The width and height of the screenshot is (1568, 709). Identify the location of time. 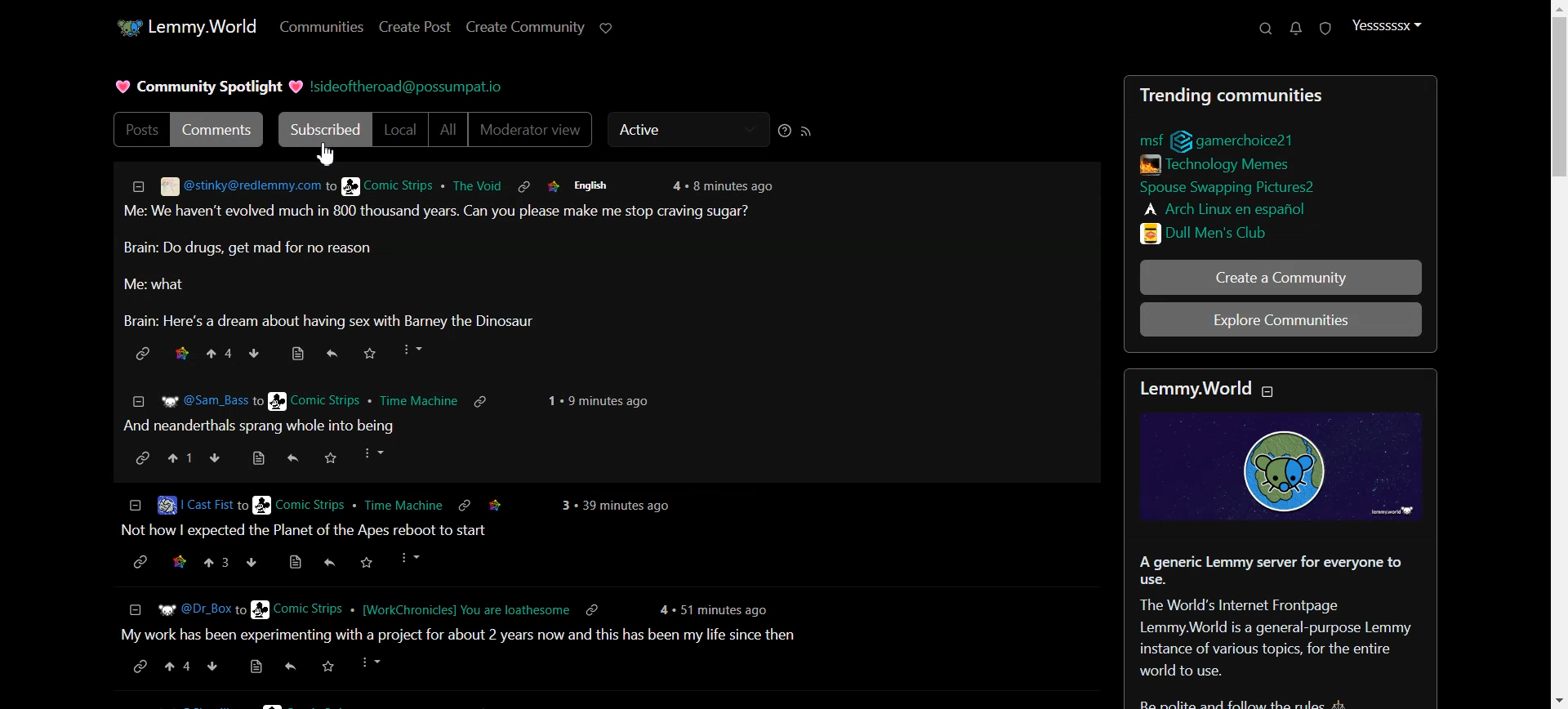
(732, 185).